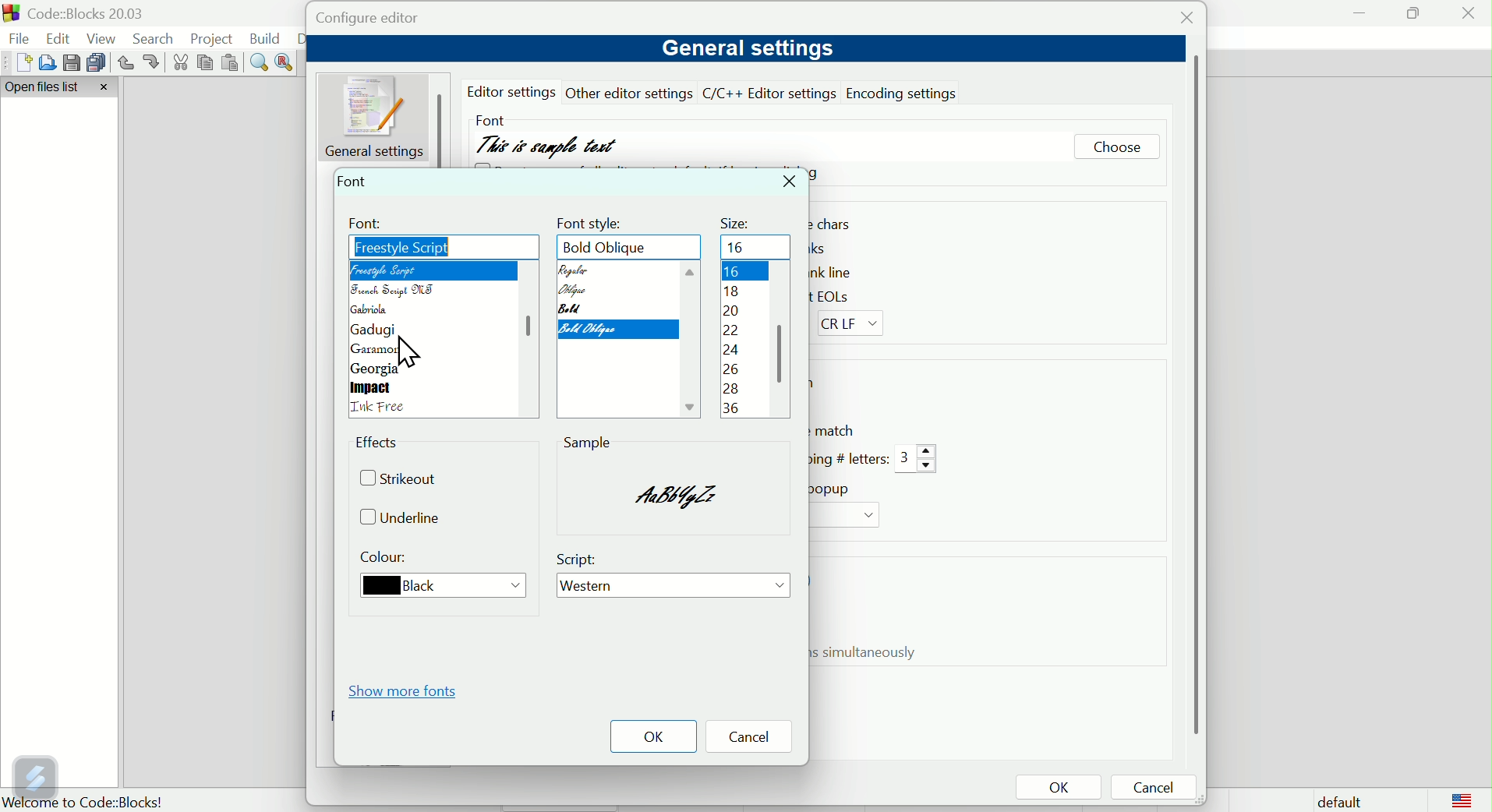  Describe the element at coordinates (60, 37) in the screenshot. I see `Edit` at that location.